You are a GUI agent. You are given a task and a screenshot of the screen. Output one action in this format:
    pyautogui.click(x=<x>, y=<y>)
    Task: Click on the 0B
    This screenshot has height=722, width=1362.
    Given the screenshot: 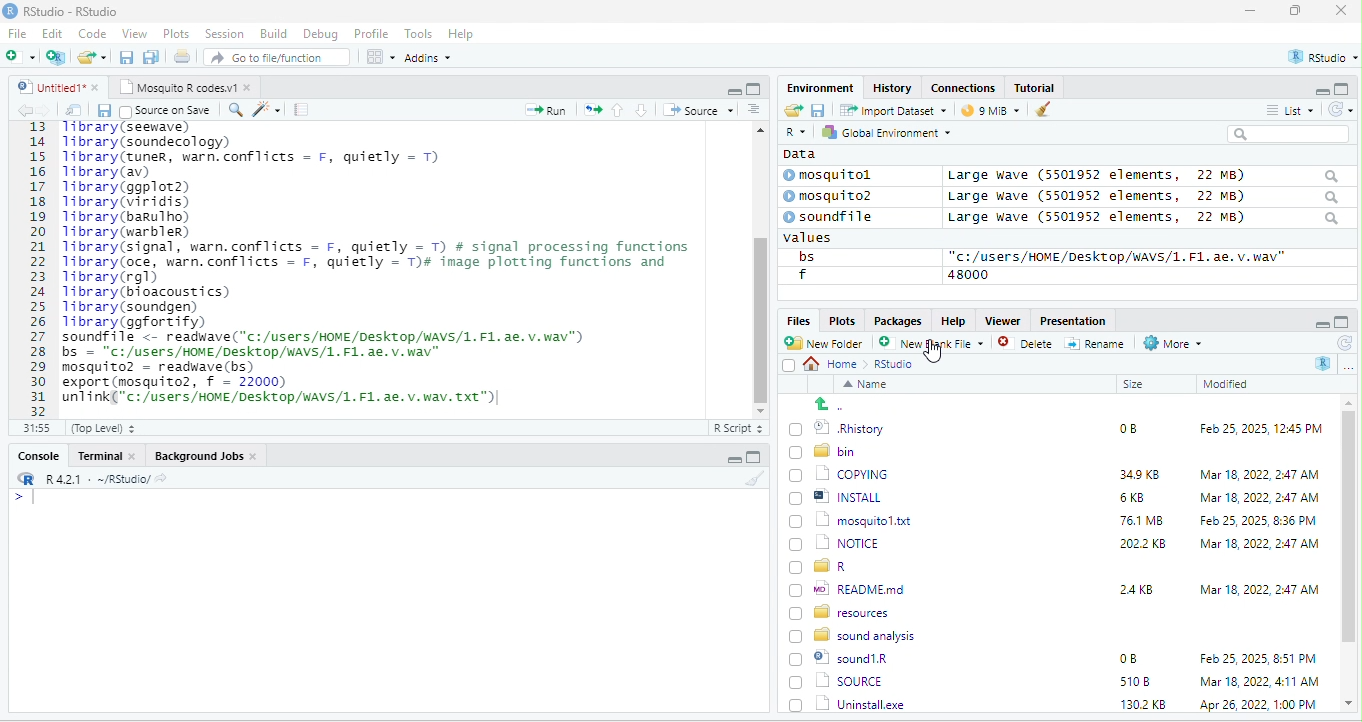 What is the action you would take?
    pyautogui.click(x=1127, y=659)
    